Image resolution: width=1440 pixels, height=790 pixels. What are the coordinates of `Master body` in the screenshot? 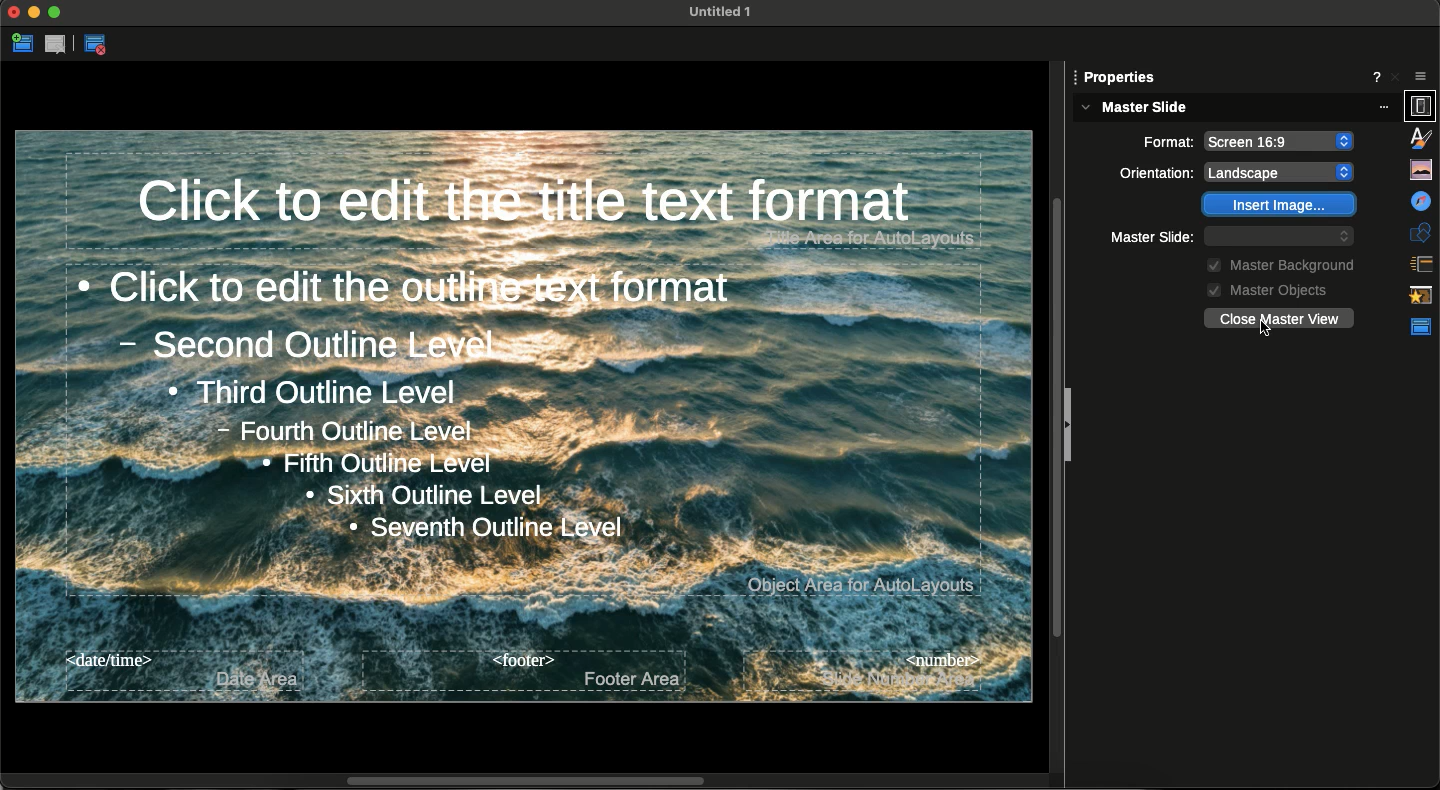 It's located at (525, 430).